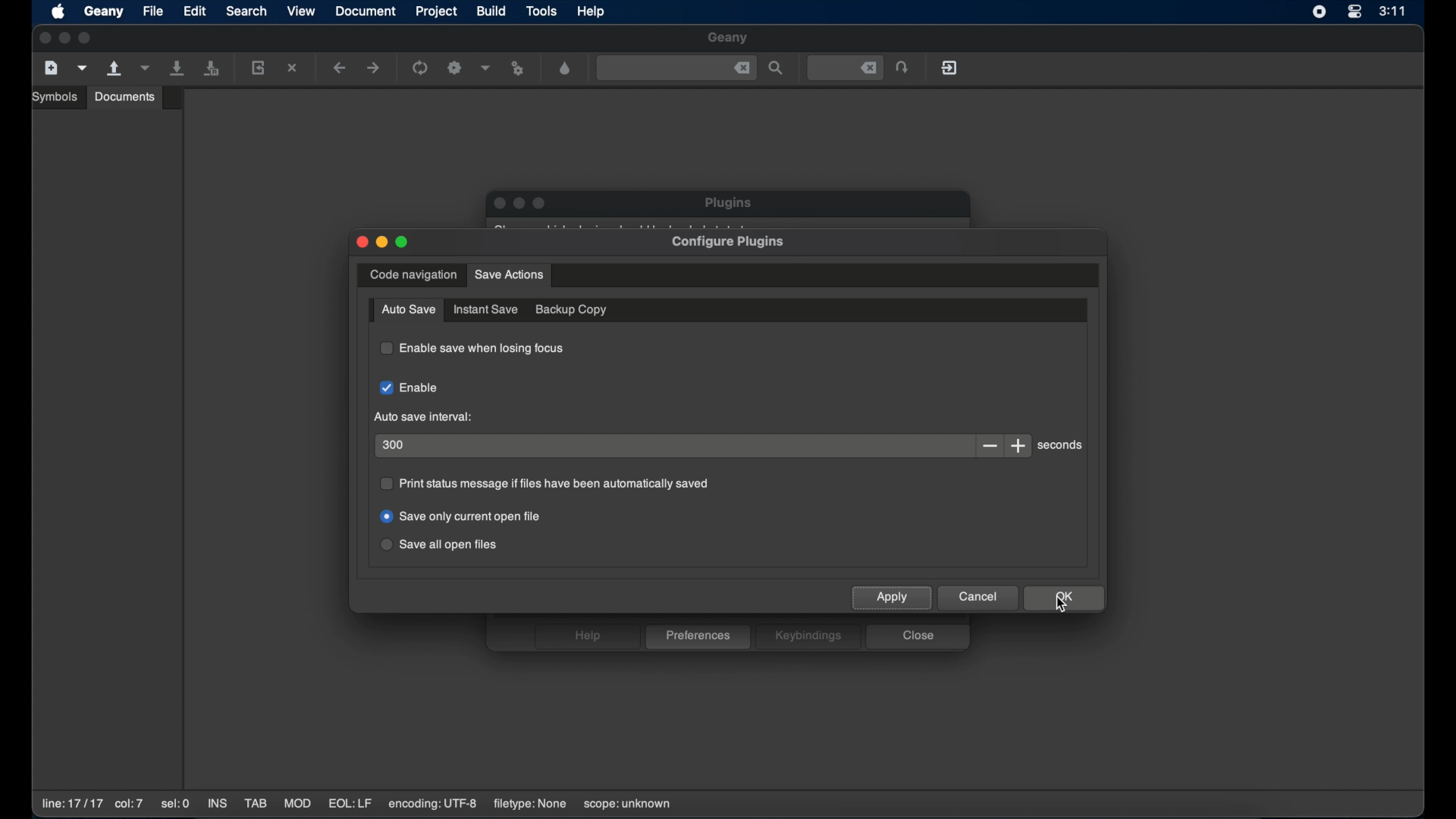 The width and height of the screenshot is (1456, 819). What do you see at coordinates (83, 68) in the screenshot?
I see `create a new file from template` at bounding box center [83, 68].